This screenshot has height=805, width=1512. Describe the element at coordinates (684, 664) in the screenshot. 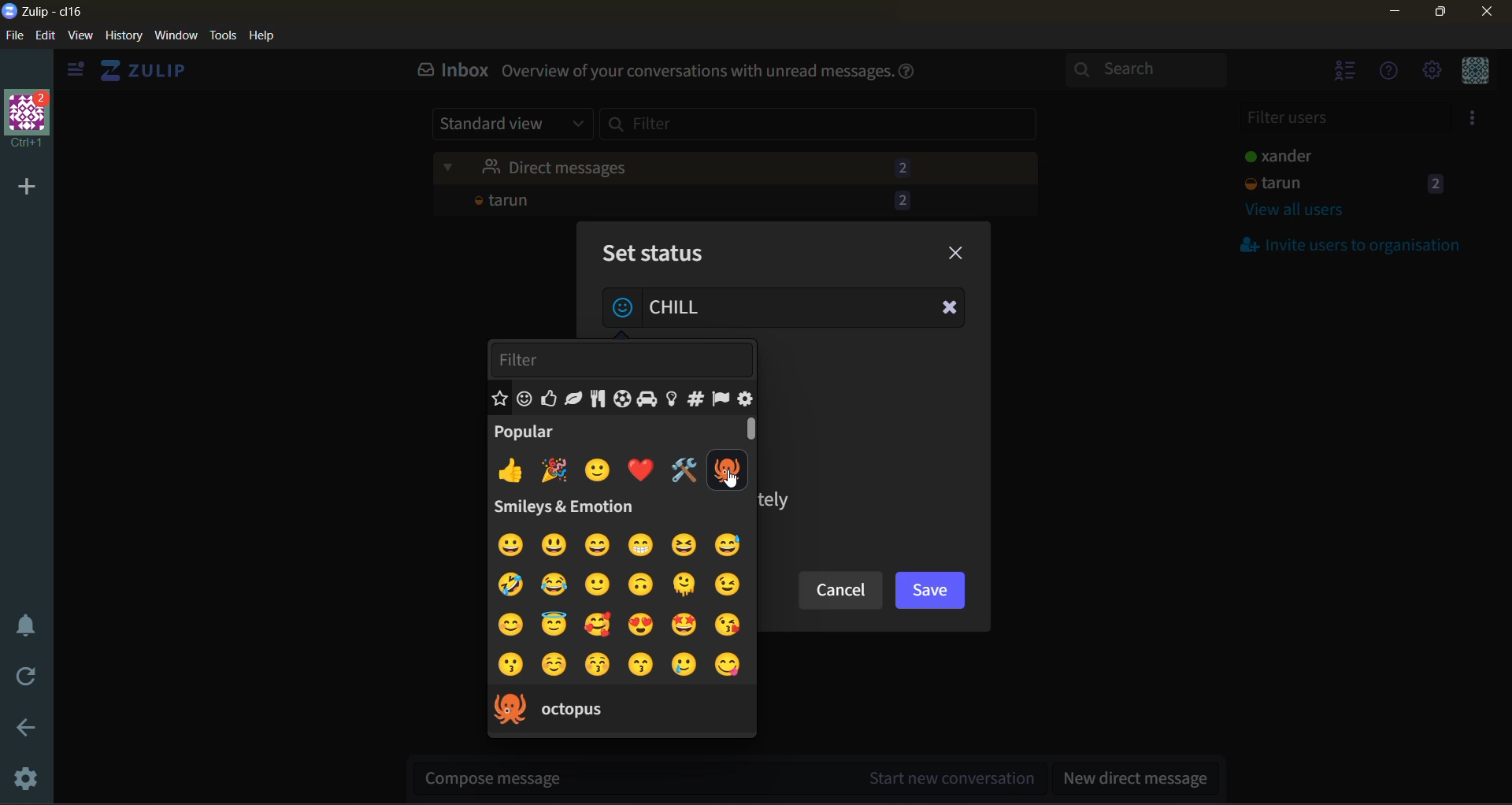

I see `emoji` at that location.